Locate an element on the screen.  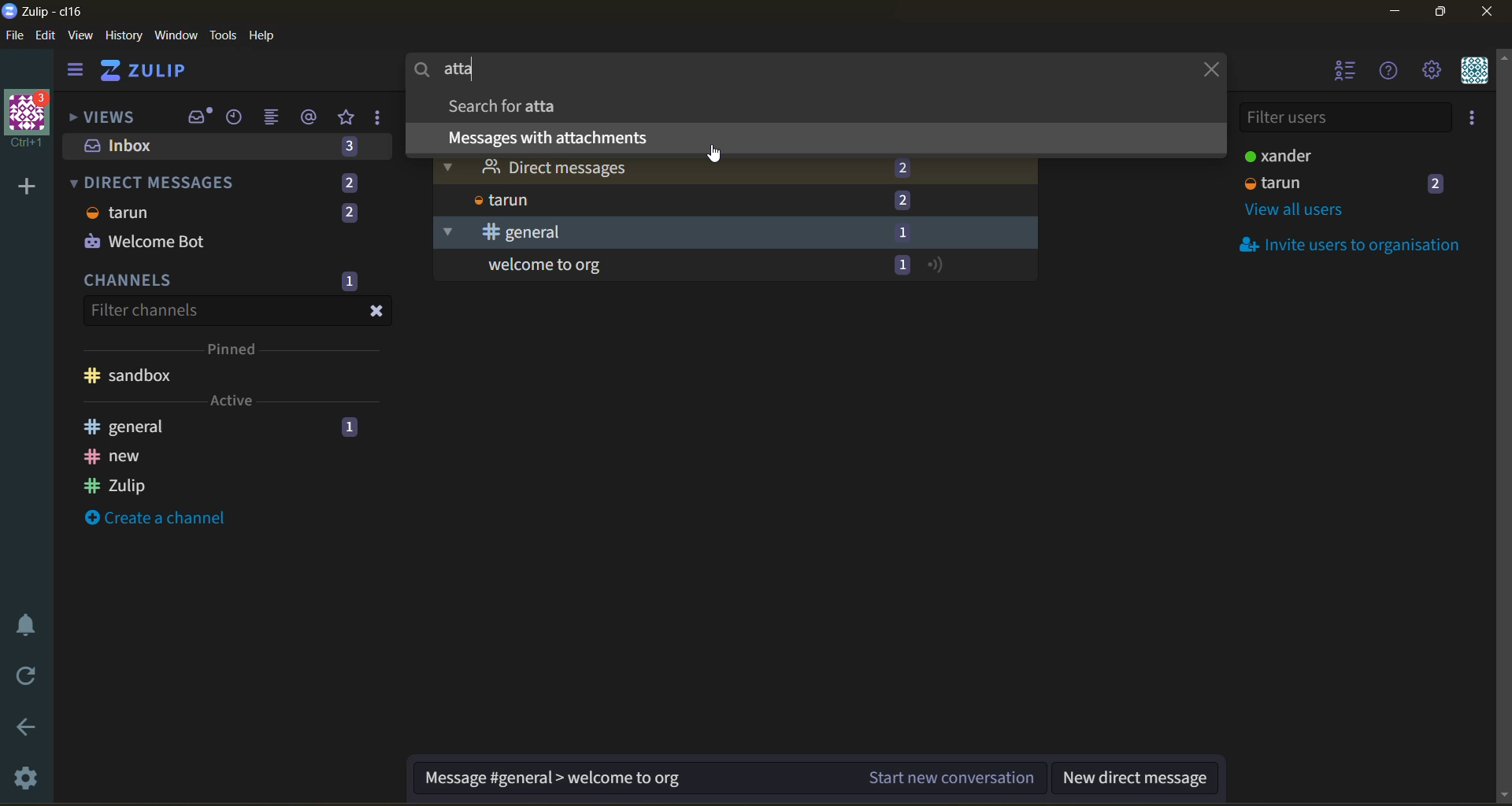
reload is located at coordinates (28, 673).